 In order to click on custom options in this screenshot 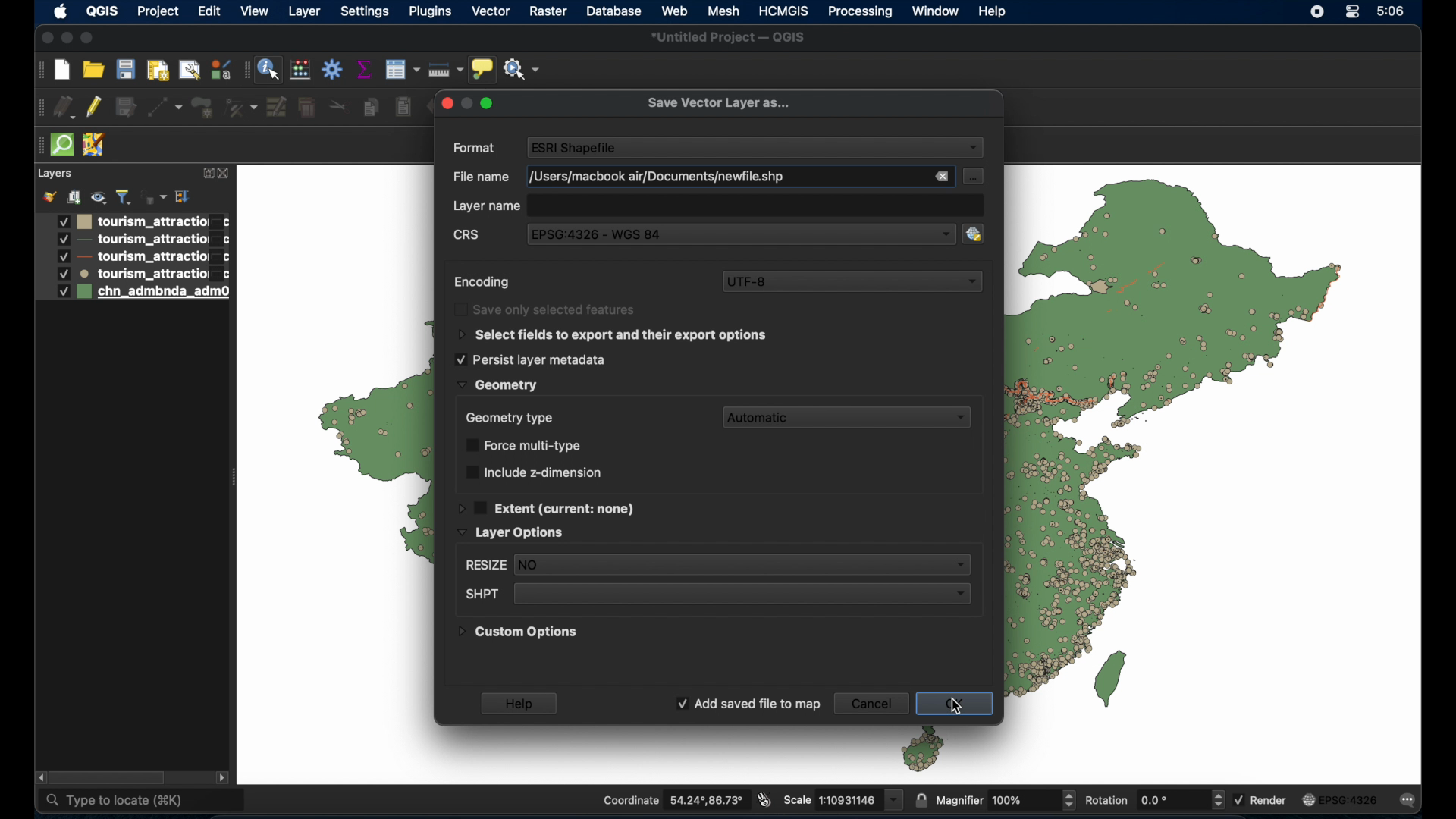, I will do `click(519, 635)`.